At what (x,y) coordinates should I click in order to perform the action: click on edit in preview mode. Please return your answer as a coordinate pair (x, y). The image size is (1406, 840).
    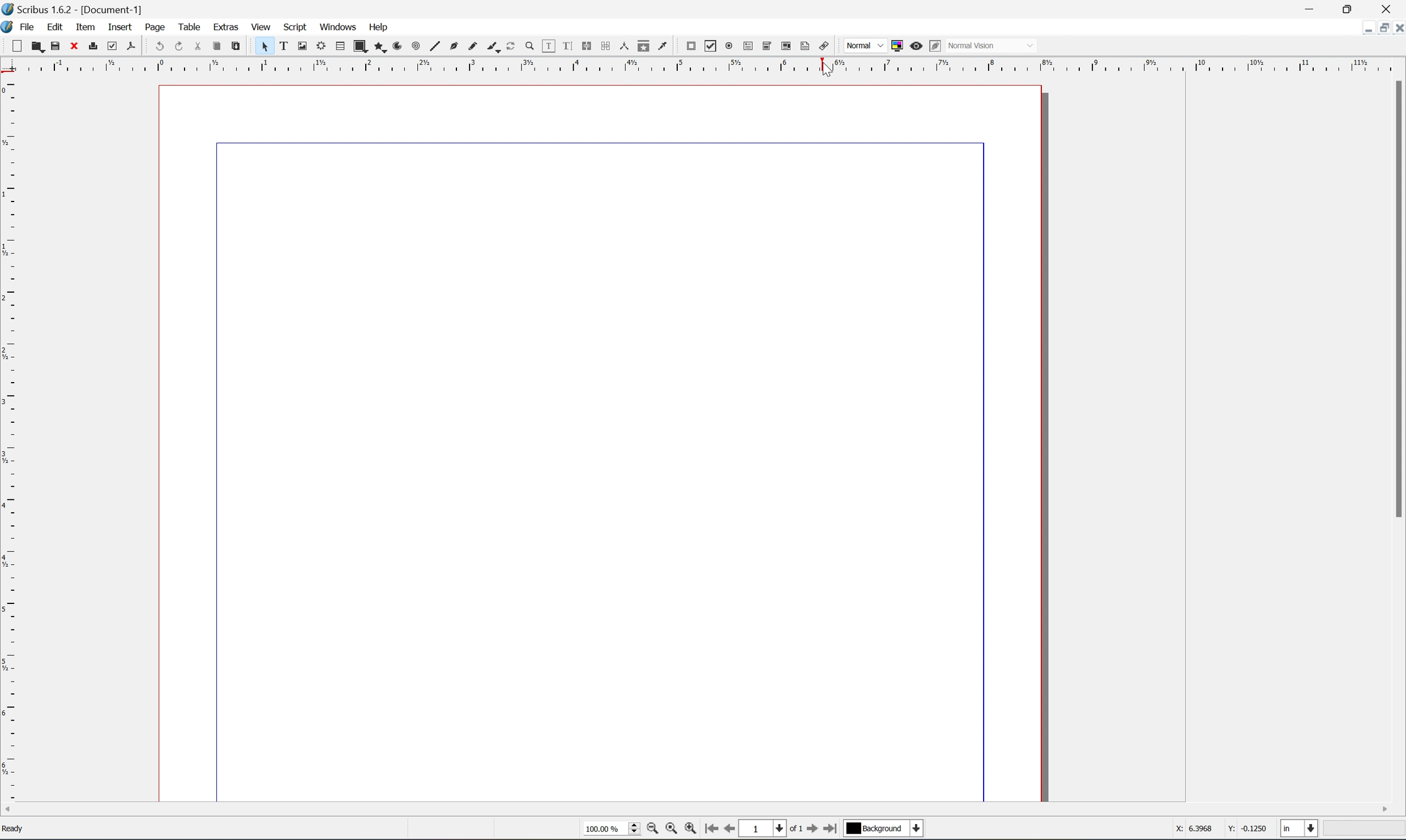
    Looking at the image, I should click on (935, 46).